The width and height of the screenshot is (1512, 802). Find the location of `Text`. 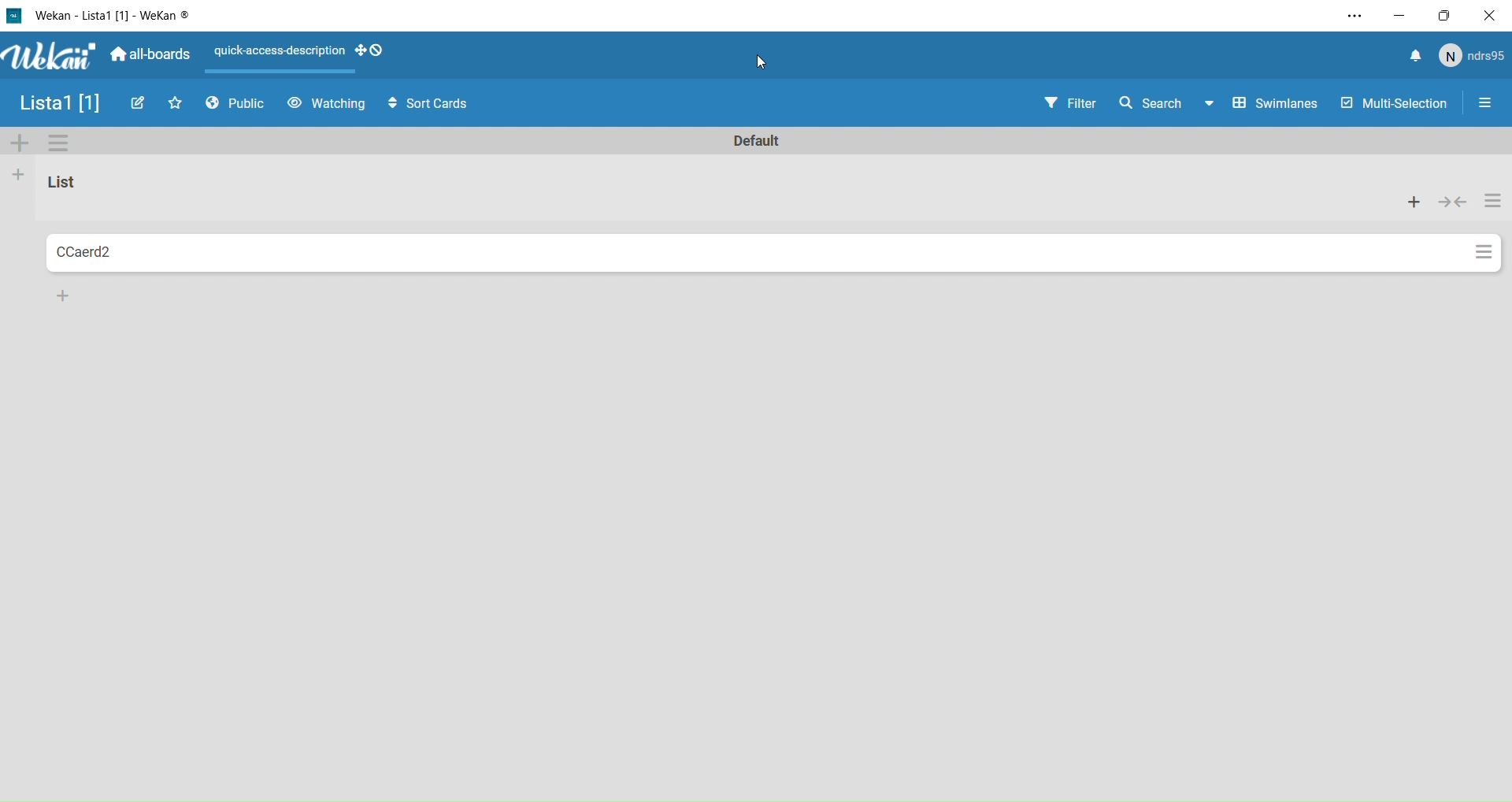

Text is located at coordinates (764, 141).